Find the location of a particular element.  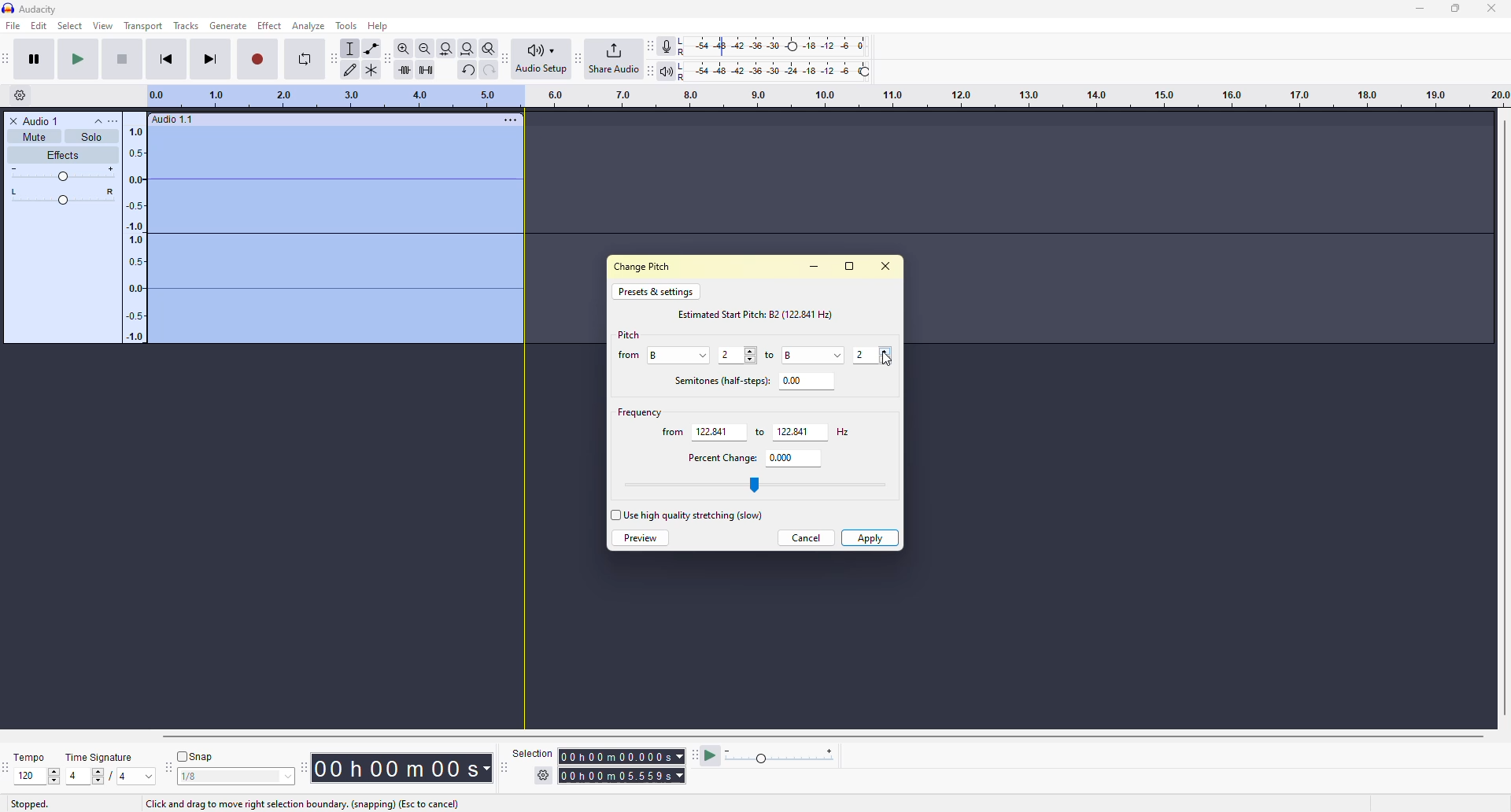

audio setup toolbar is located at coordinates (507, 58).